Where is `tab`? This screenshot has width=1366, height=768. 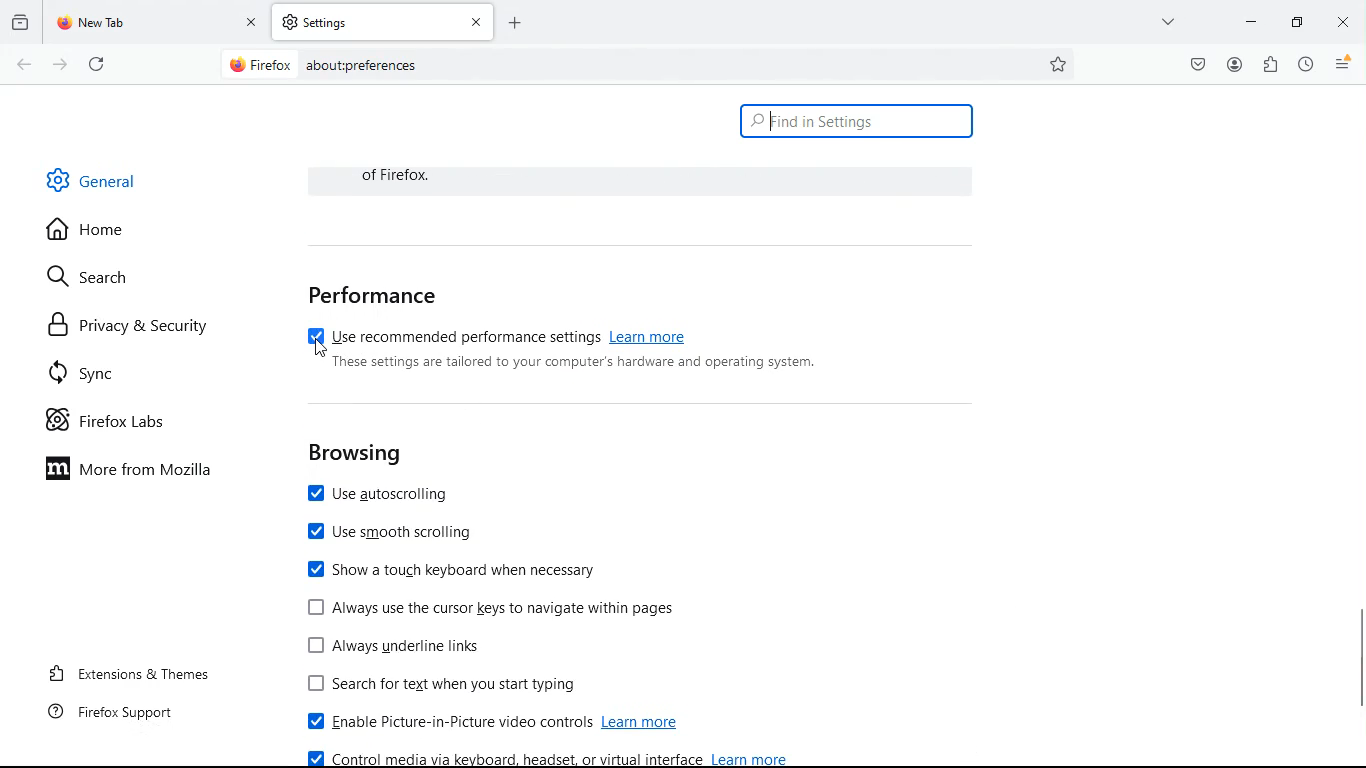 tab is located at coordinates (384, 22).